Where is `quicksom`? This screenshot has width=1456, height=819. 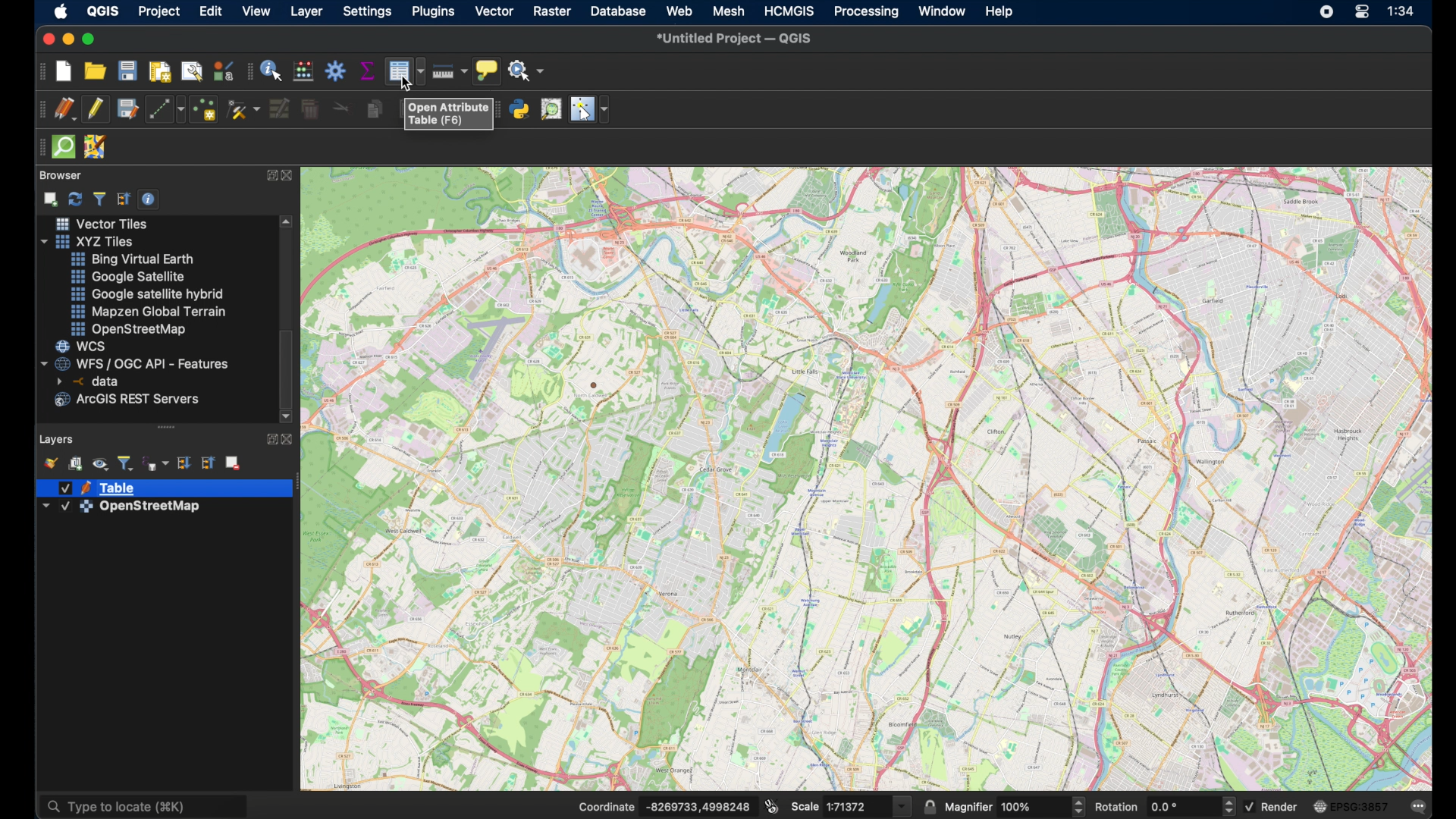 quicksom is located at coordinates (64, 146).